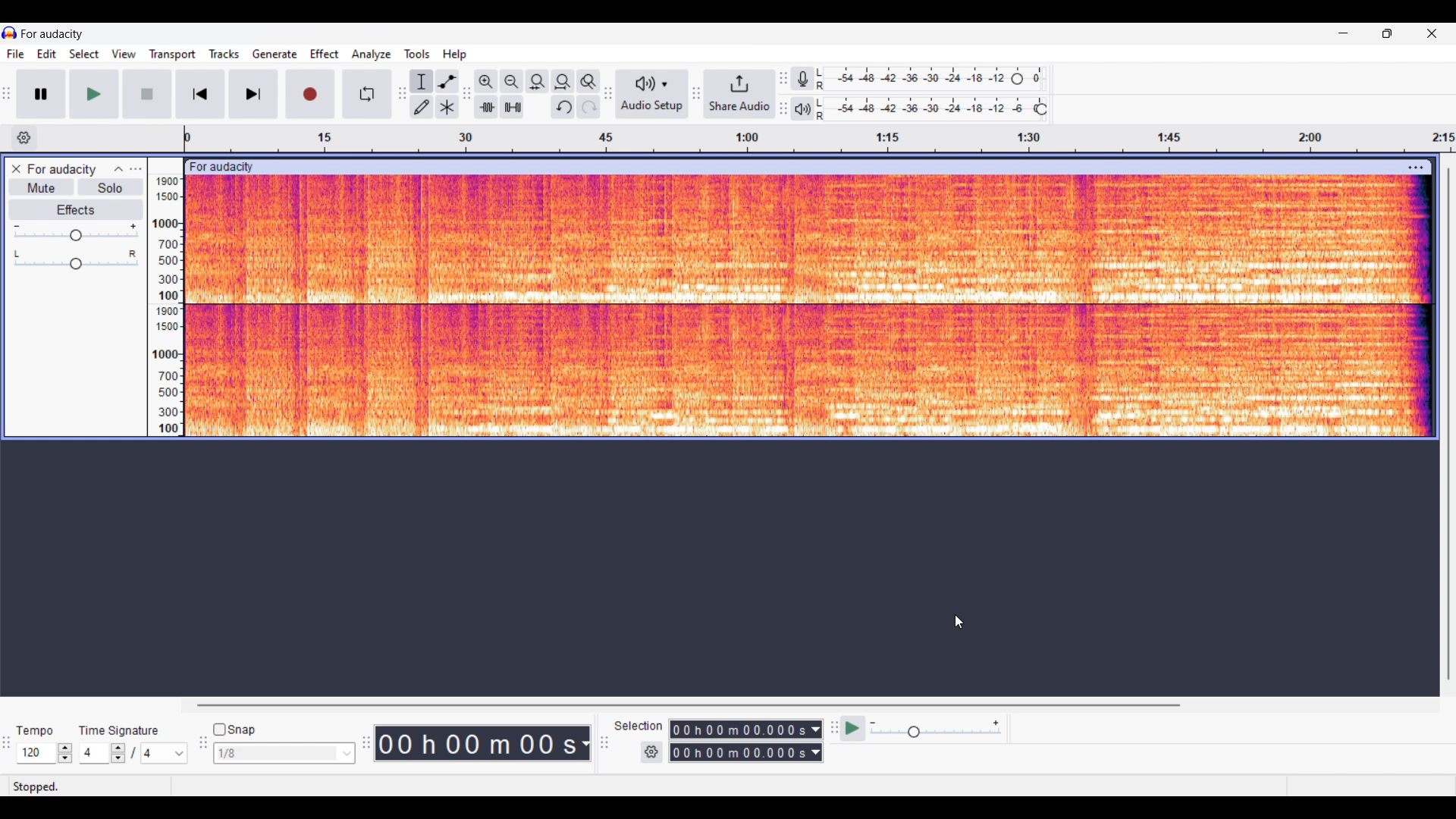 The width and height of the screenshot is (1456, 819). I want to click on Draw tool, so click(422, 107).